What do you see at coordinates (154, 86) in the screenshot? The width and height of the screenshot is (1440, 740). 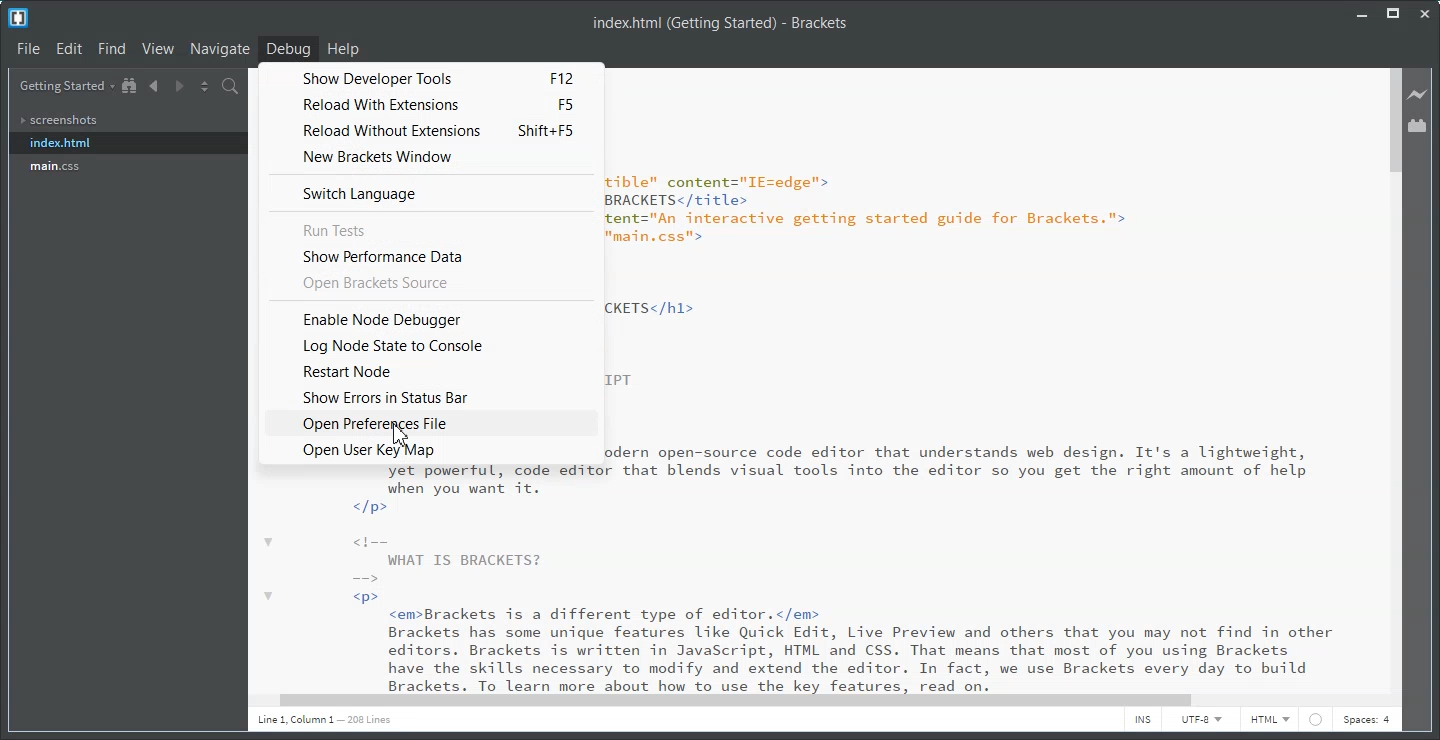 I see `Navigate Backward` at bounding box center [154, 86].